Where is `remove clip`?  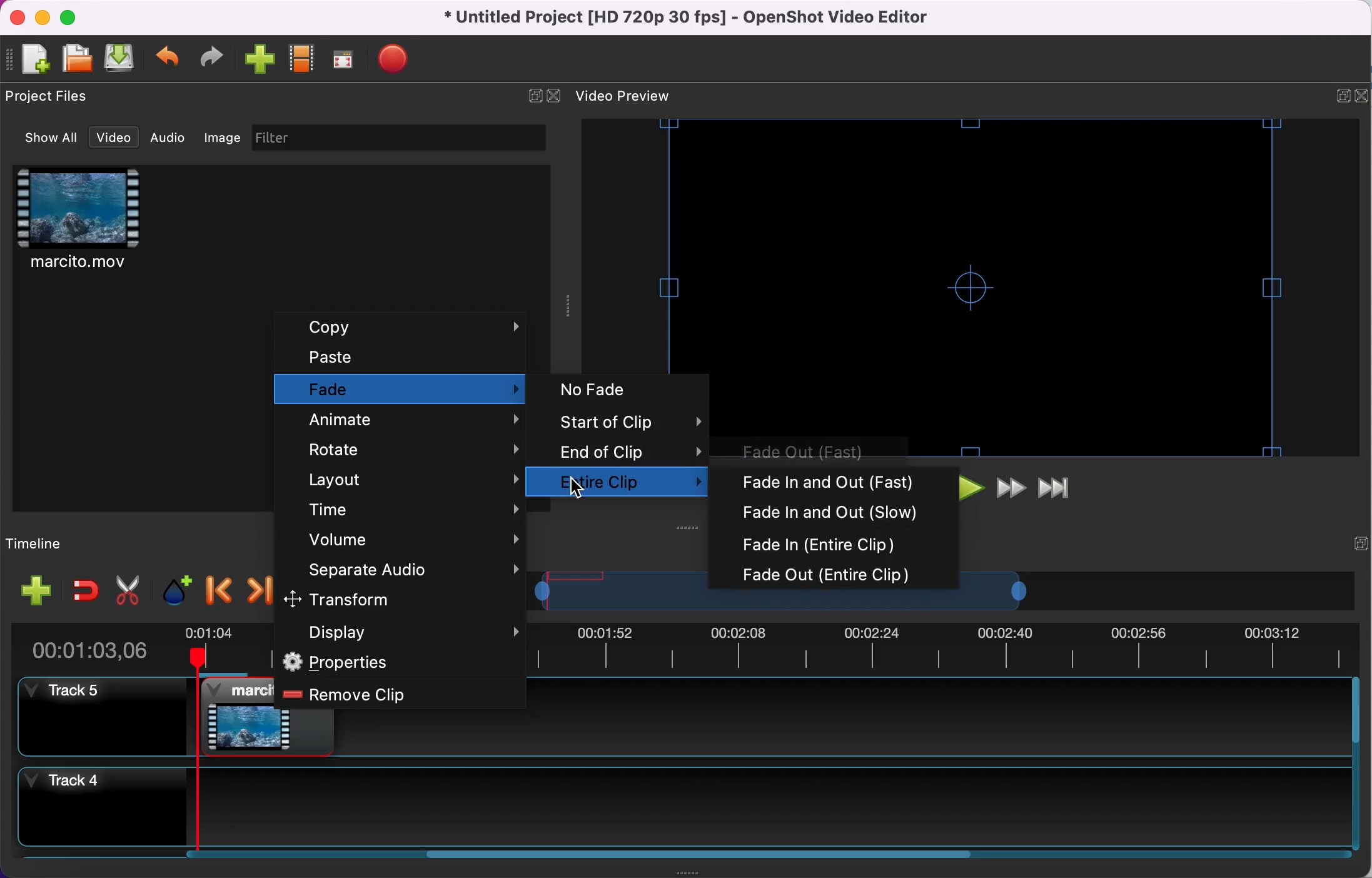 remove clip is located at coordinates (381, 695).